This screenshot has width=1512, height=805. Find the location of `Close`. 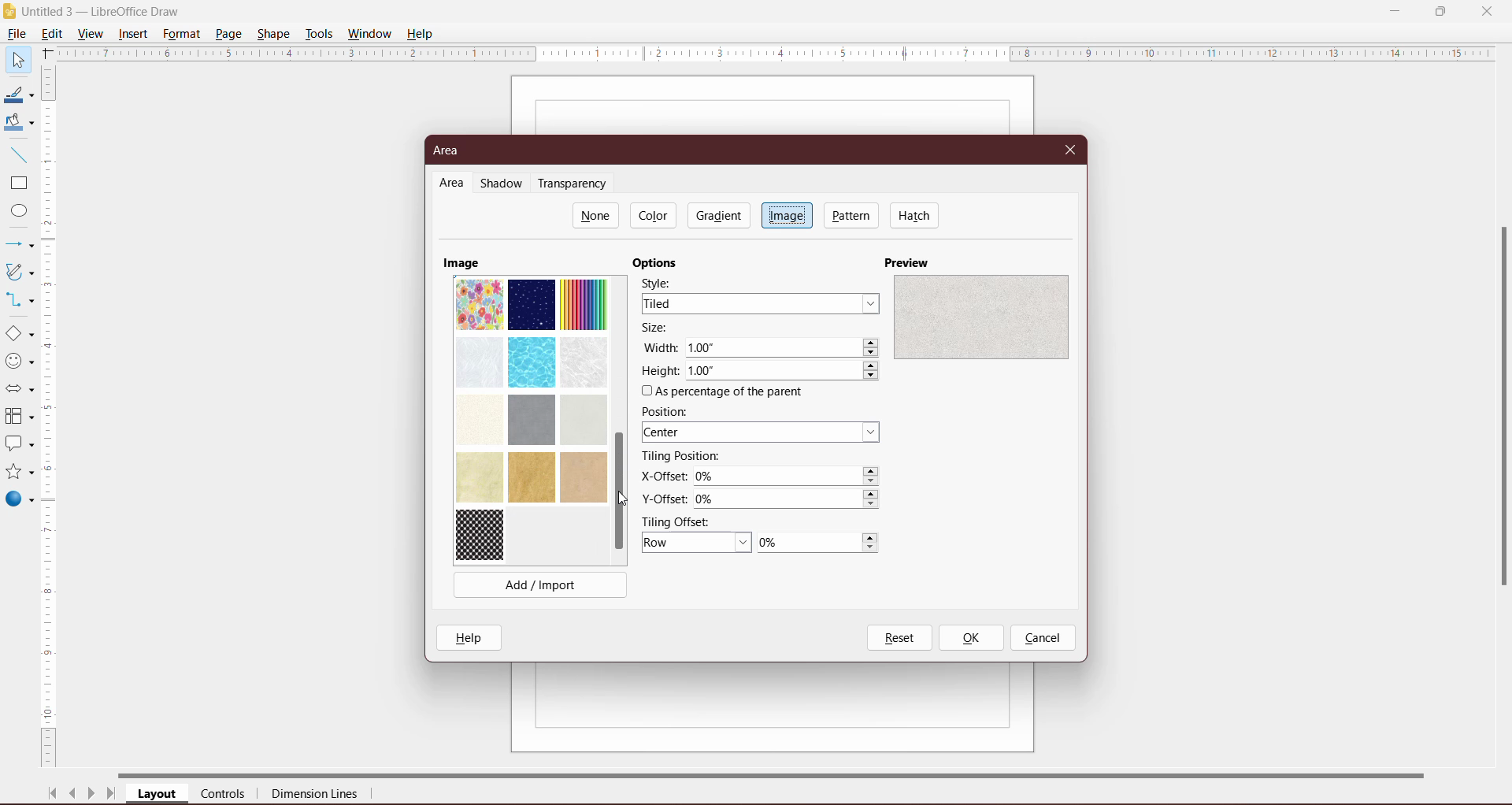

Close is located at coordinates (1487, 10).